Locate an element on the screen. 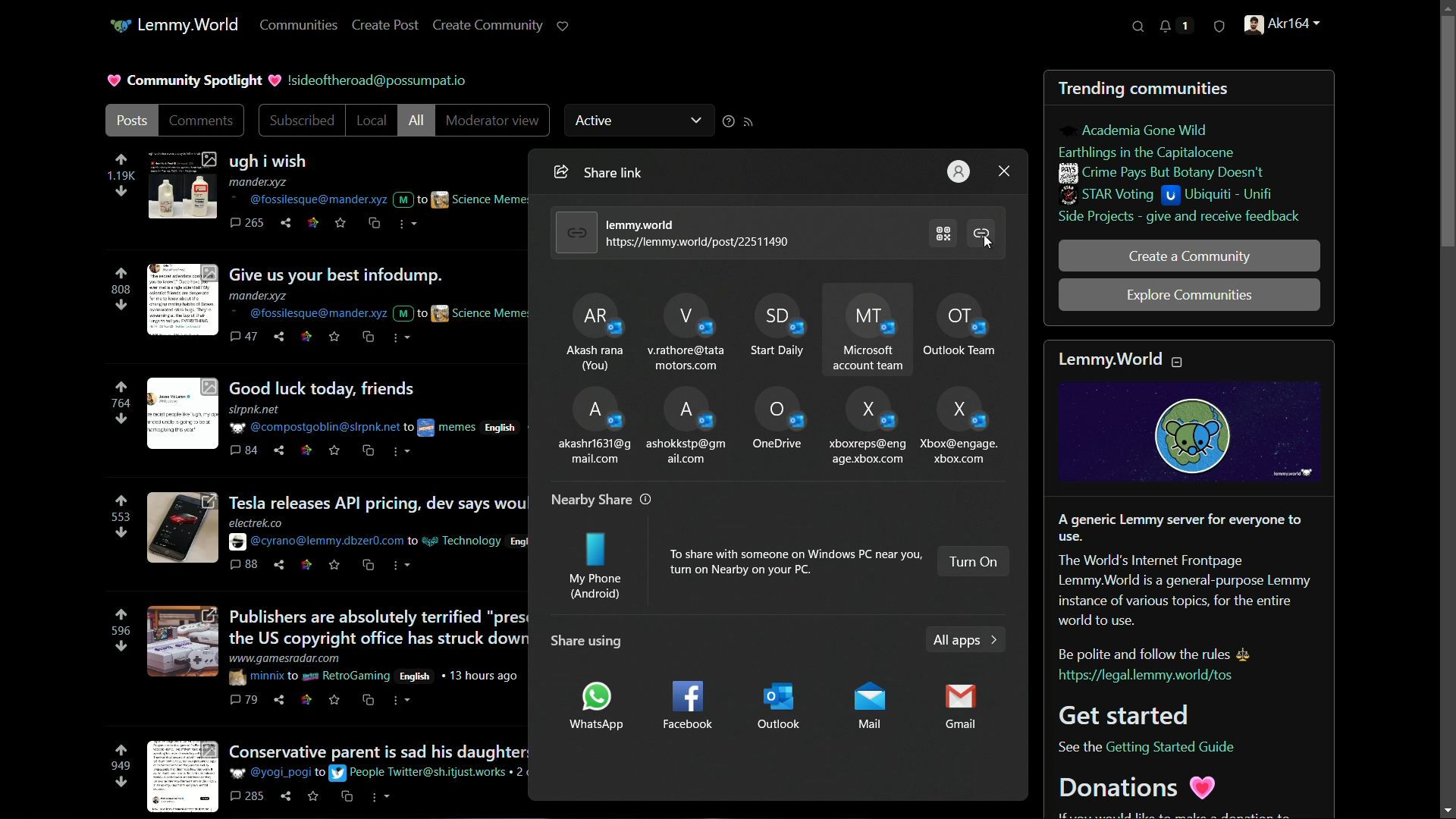  good luck today, friends is located at coordinates (327, 388).